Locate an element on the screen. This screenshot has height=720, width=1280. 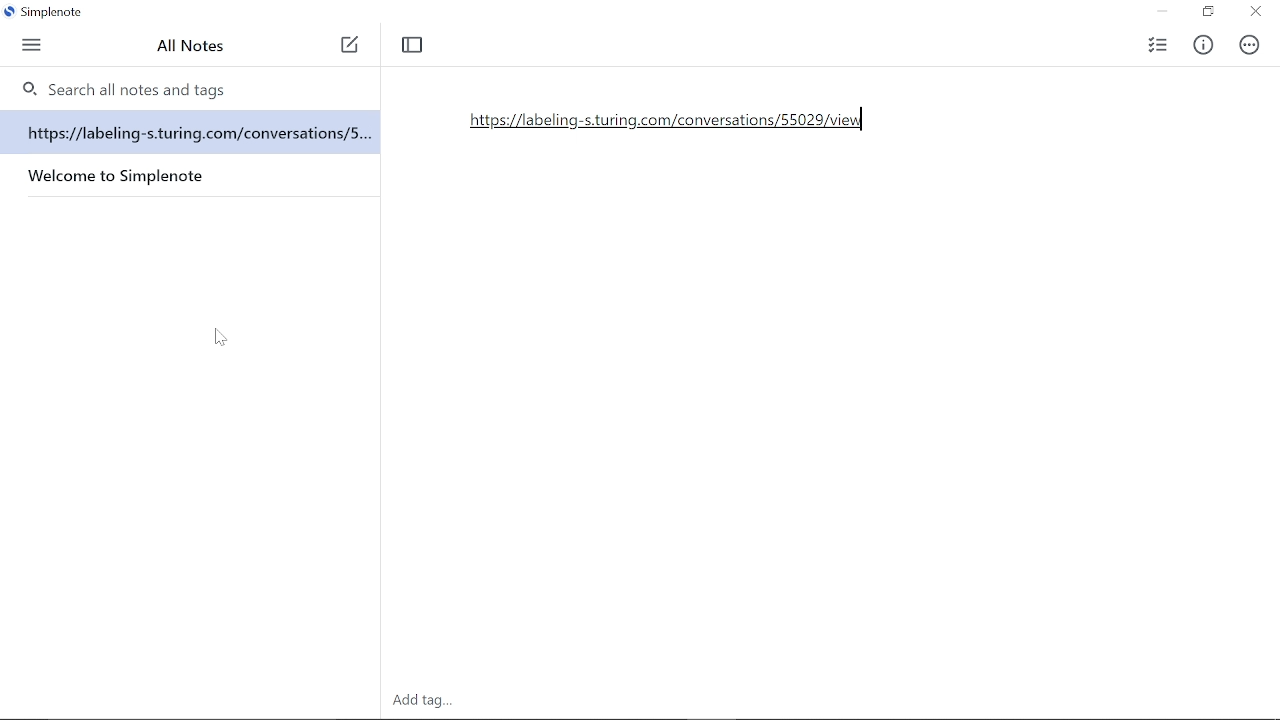
Minimize is located at coordinates (1160, 13).